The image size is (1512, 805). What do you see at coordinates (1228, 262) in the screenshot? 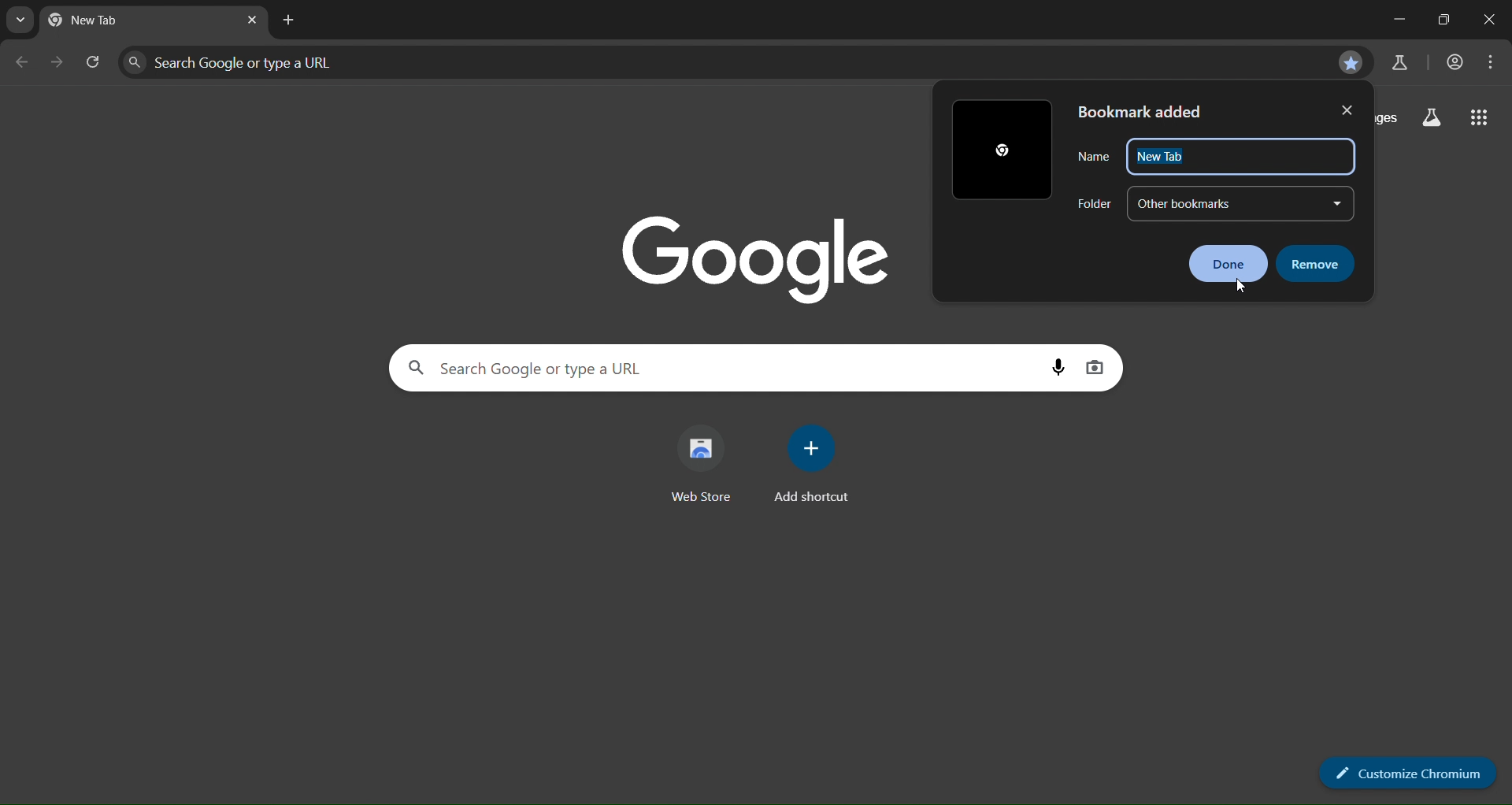
I see `done` at bounding box center [1228, 262].